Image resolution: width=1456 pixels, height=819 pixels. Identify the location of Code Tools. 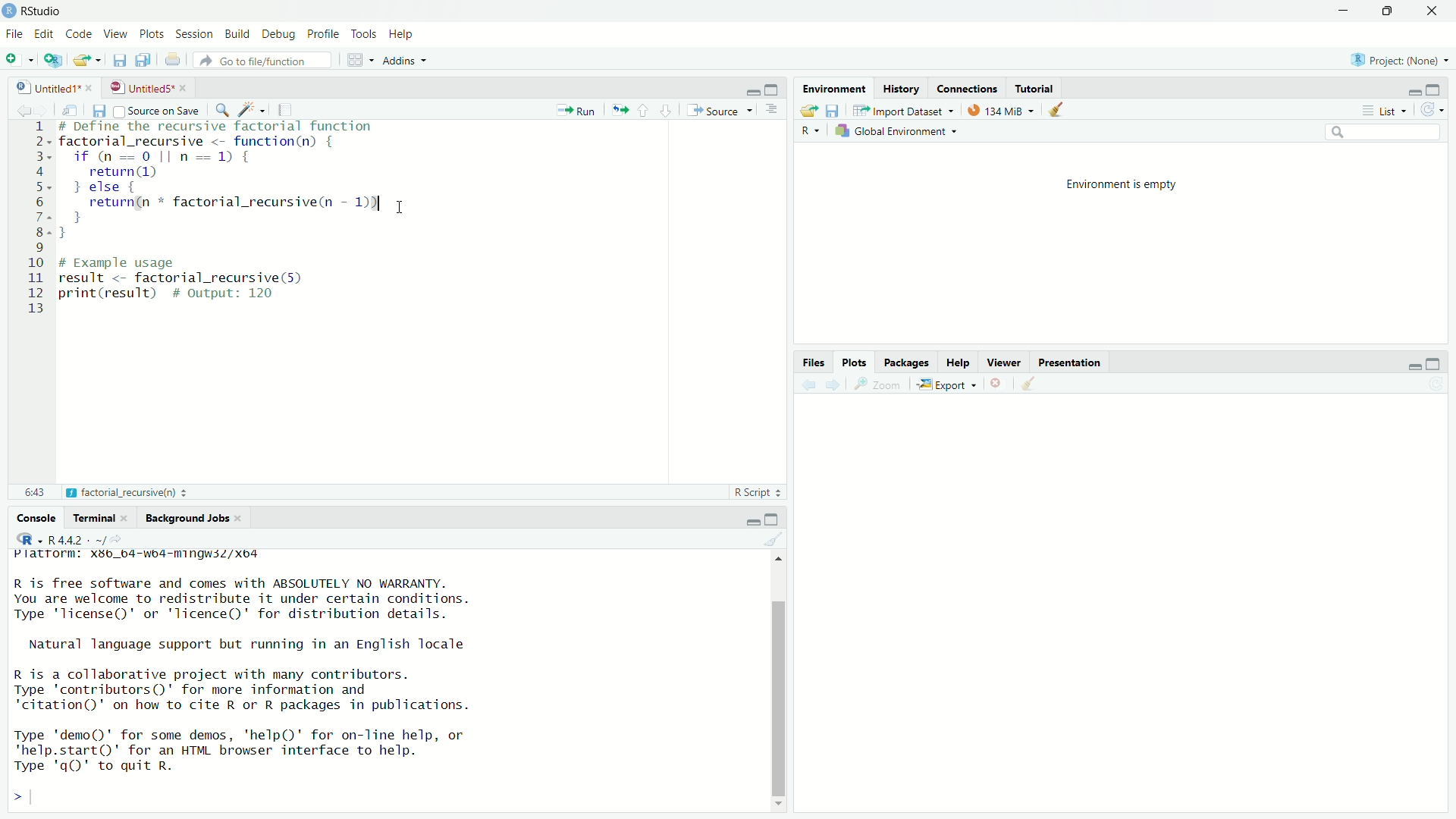
(254, 108).